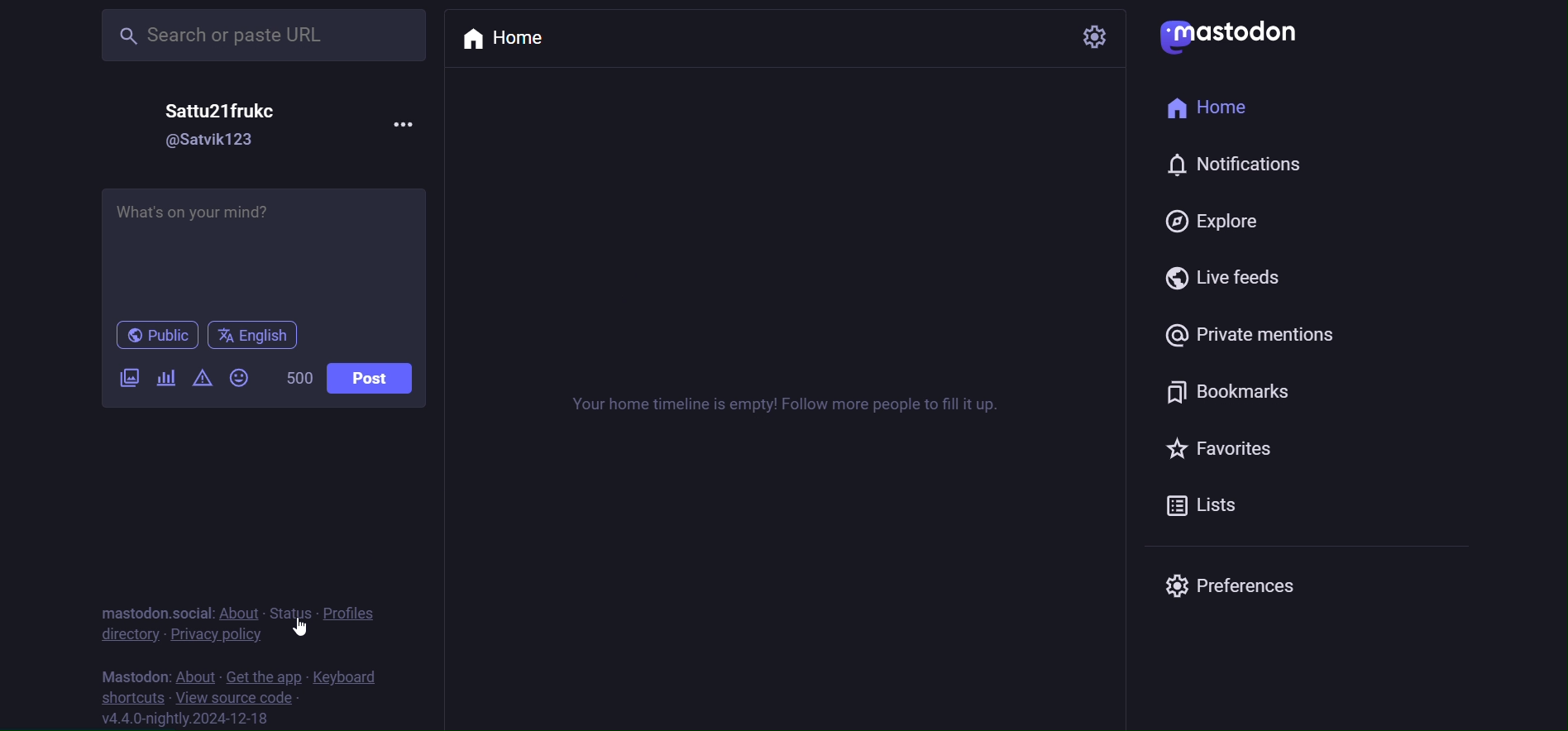  I want to click on About, so click(240, 612).